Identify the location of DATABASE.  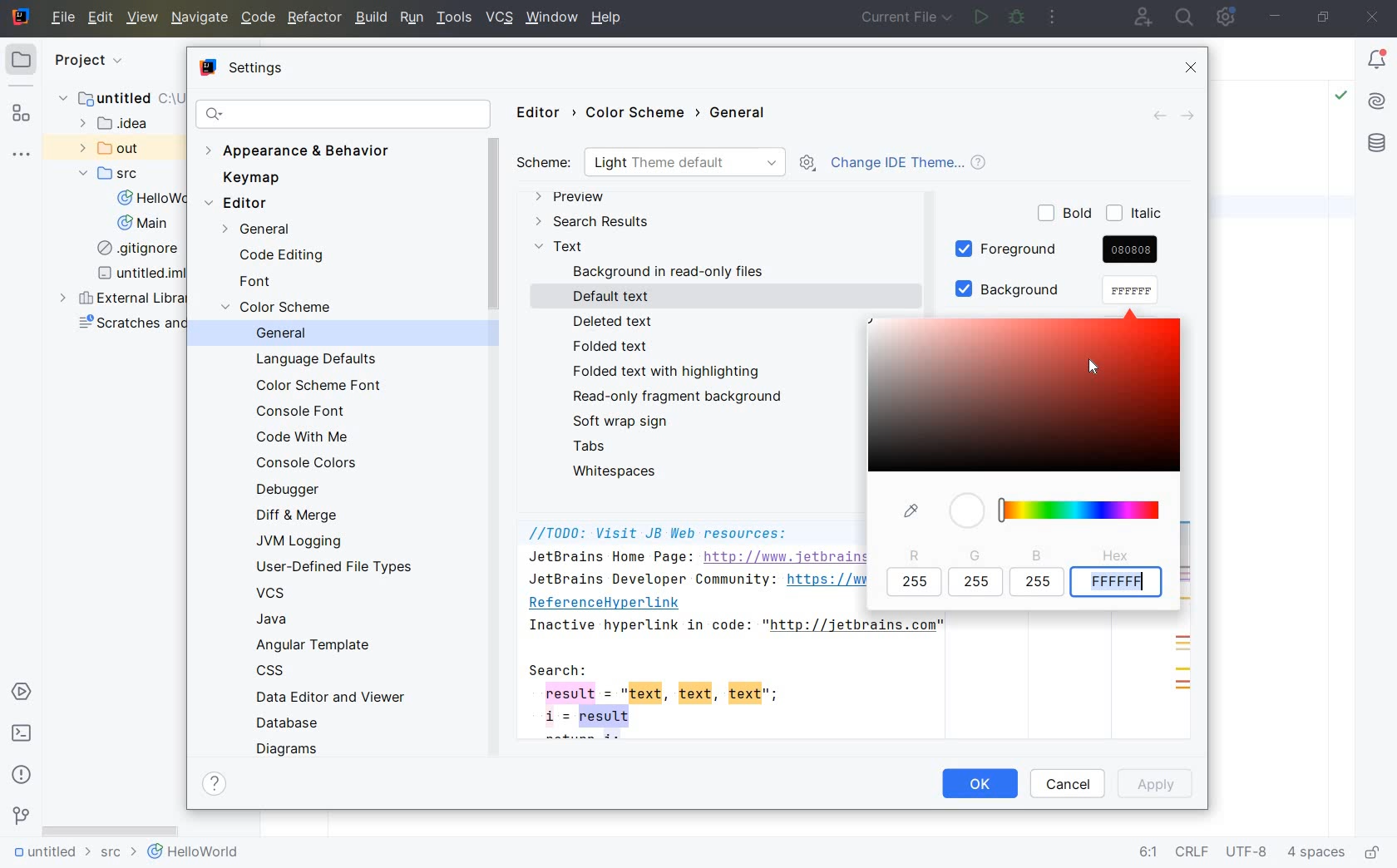
(293, 723).